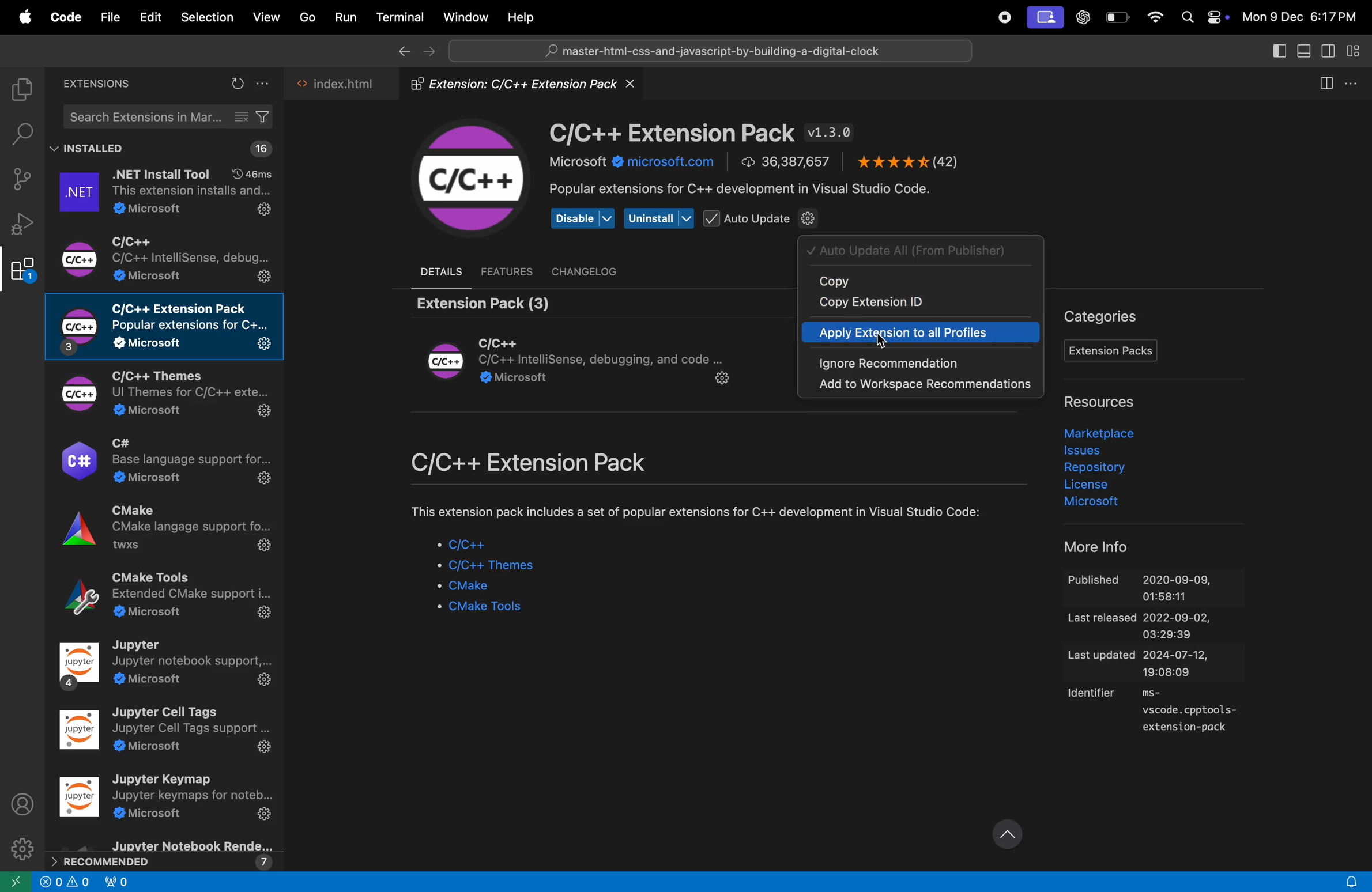 This screenshot has height=892, width=1372. What do you see at coordinates (1355, 81) in the screenshot?
I see `more actions` at bounding box center [1355, 81].